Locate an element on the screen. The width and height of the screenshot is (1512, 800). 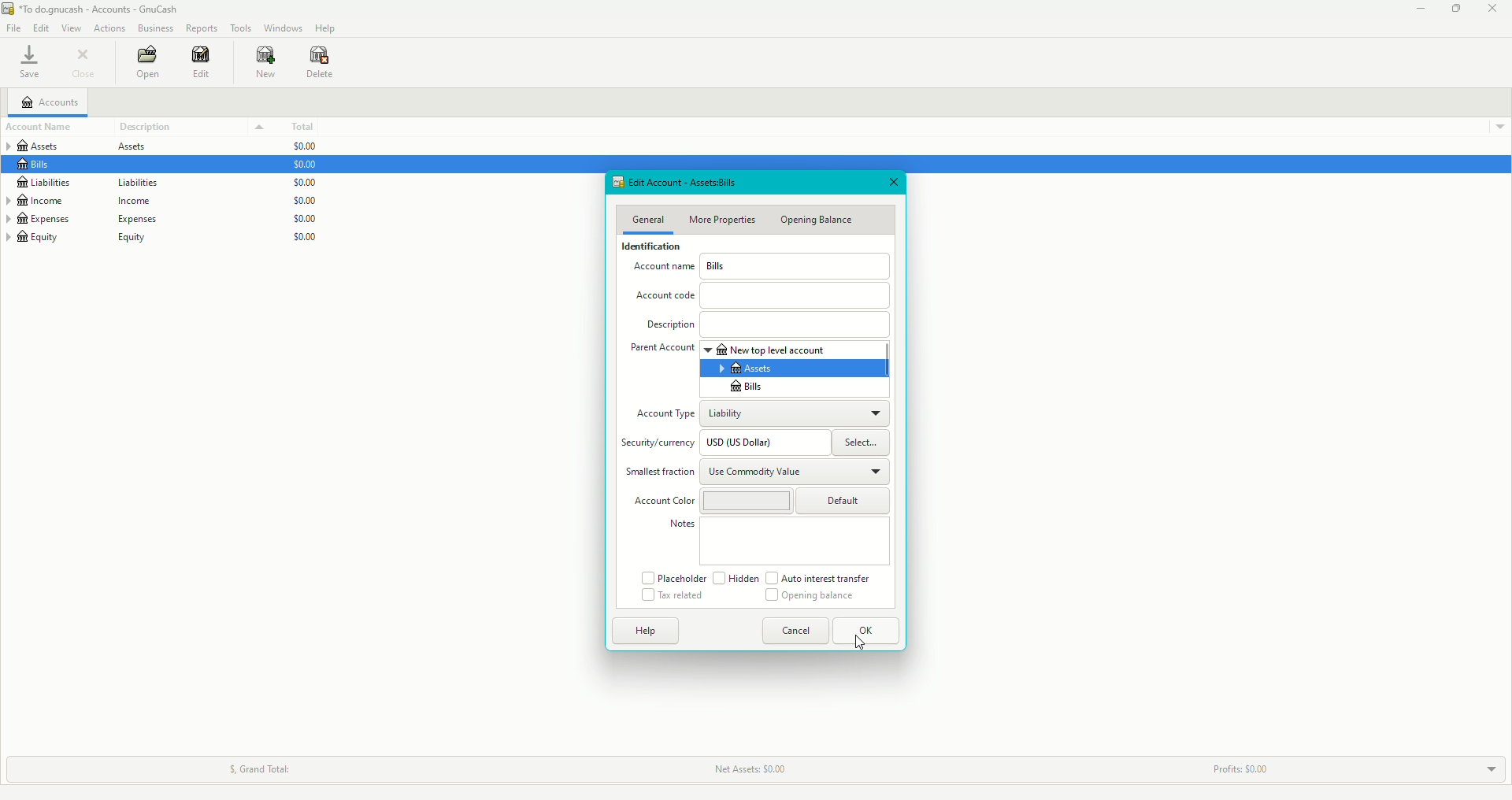
Restore is located at coordinates (1455, 9).